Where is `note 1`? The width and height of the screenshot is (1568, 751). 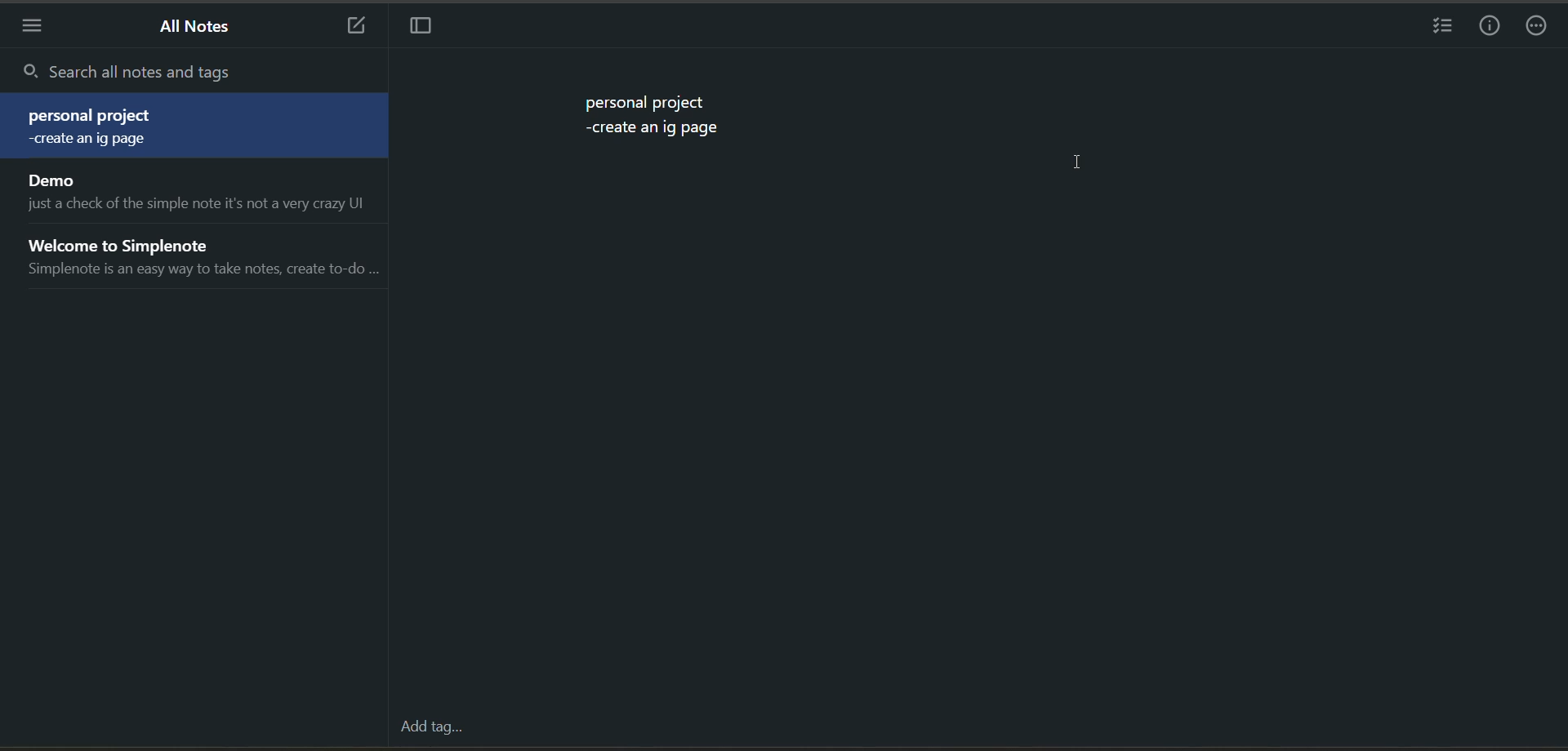
note 1 is located at coordinates (200, 127).